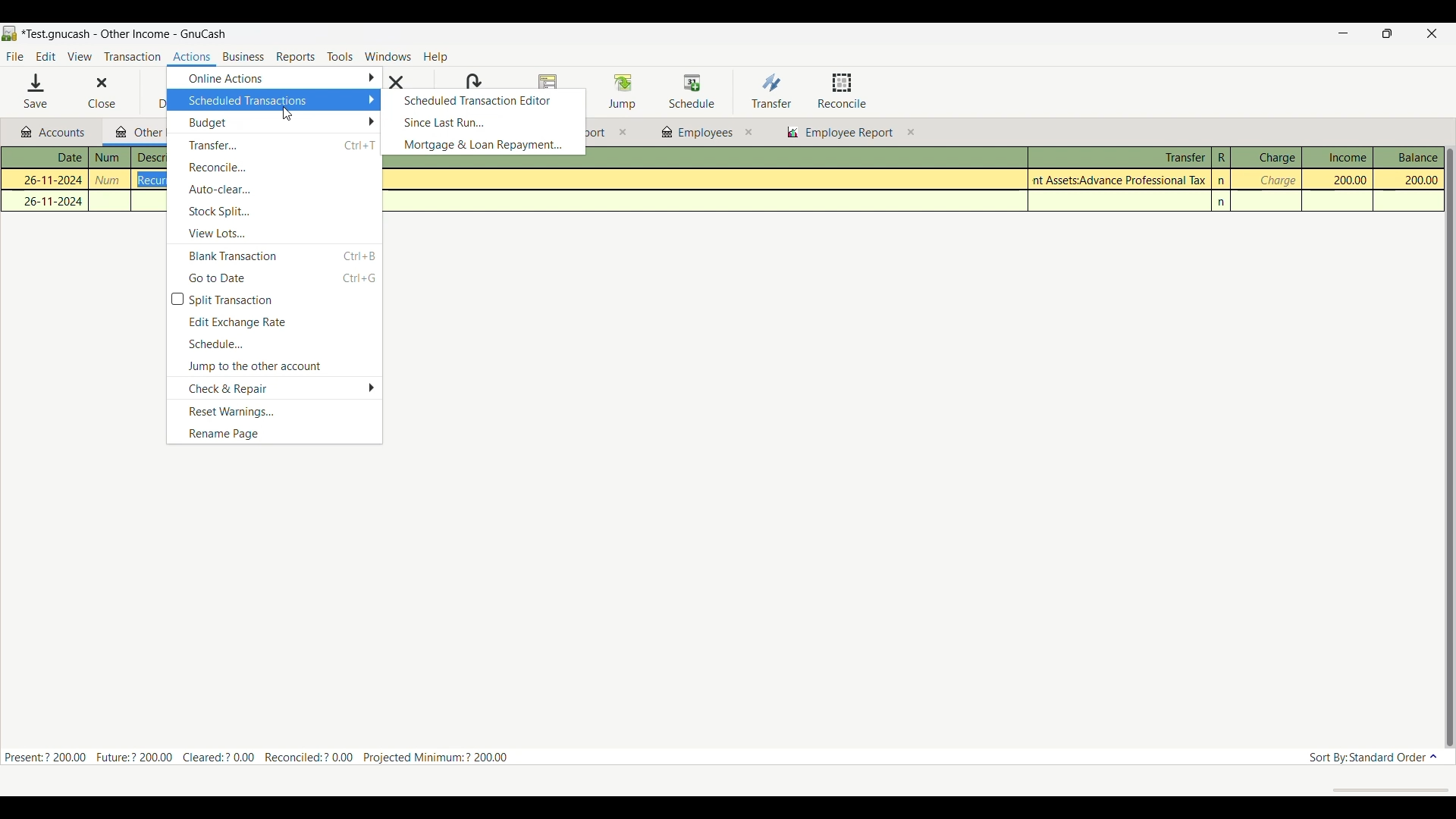 The width and height of the screenshot is (1456, 819). What do you see at coordinates (297, 57) in the screenshot?
I see `Reports menu` at bounding box center [297, 57].